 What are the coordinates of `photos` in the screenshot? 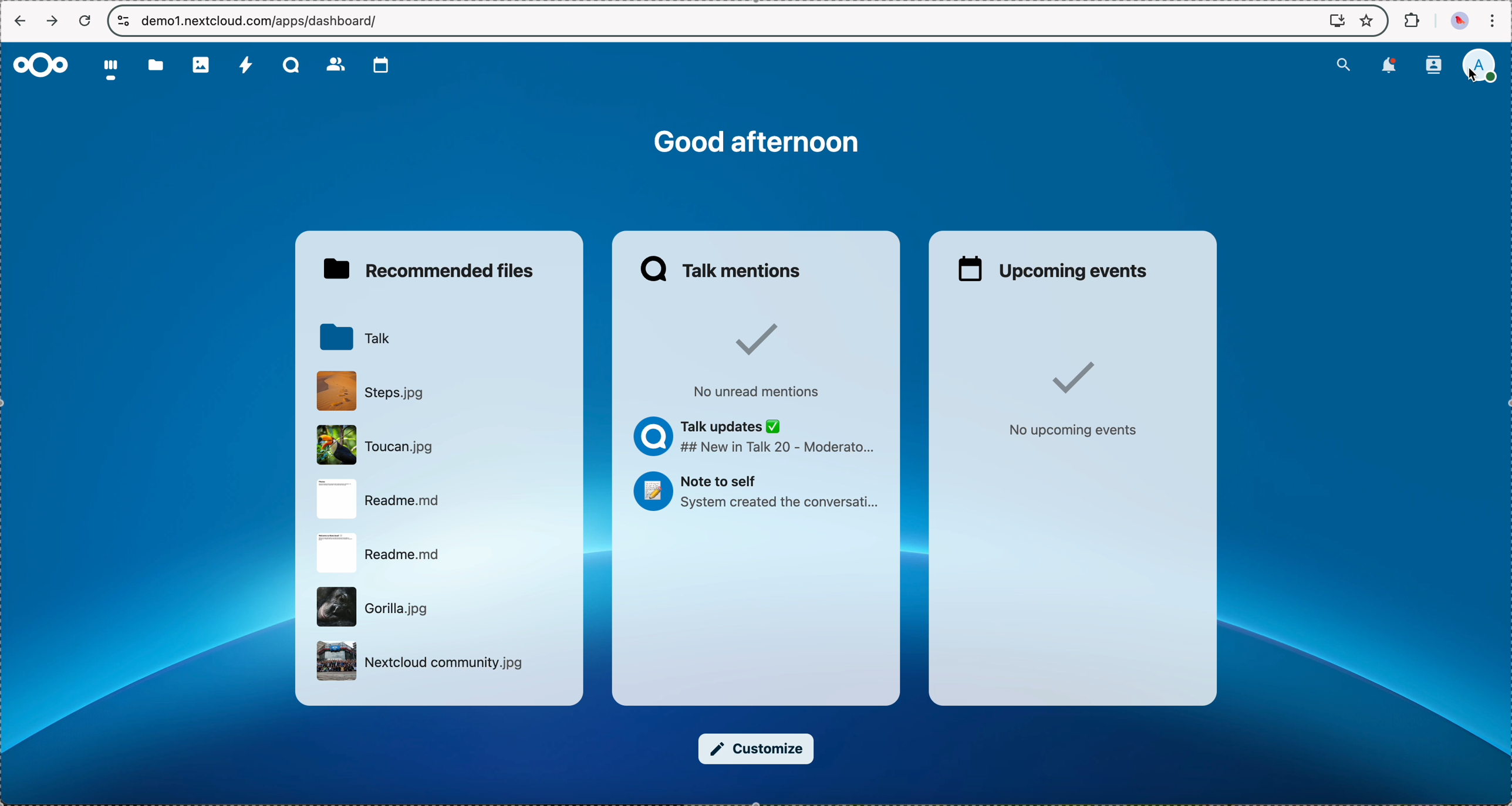 It's located at (201, 66).